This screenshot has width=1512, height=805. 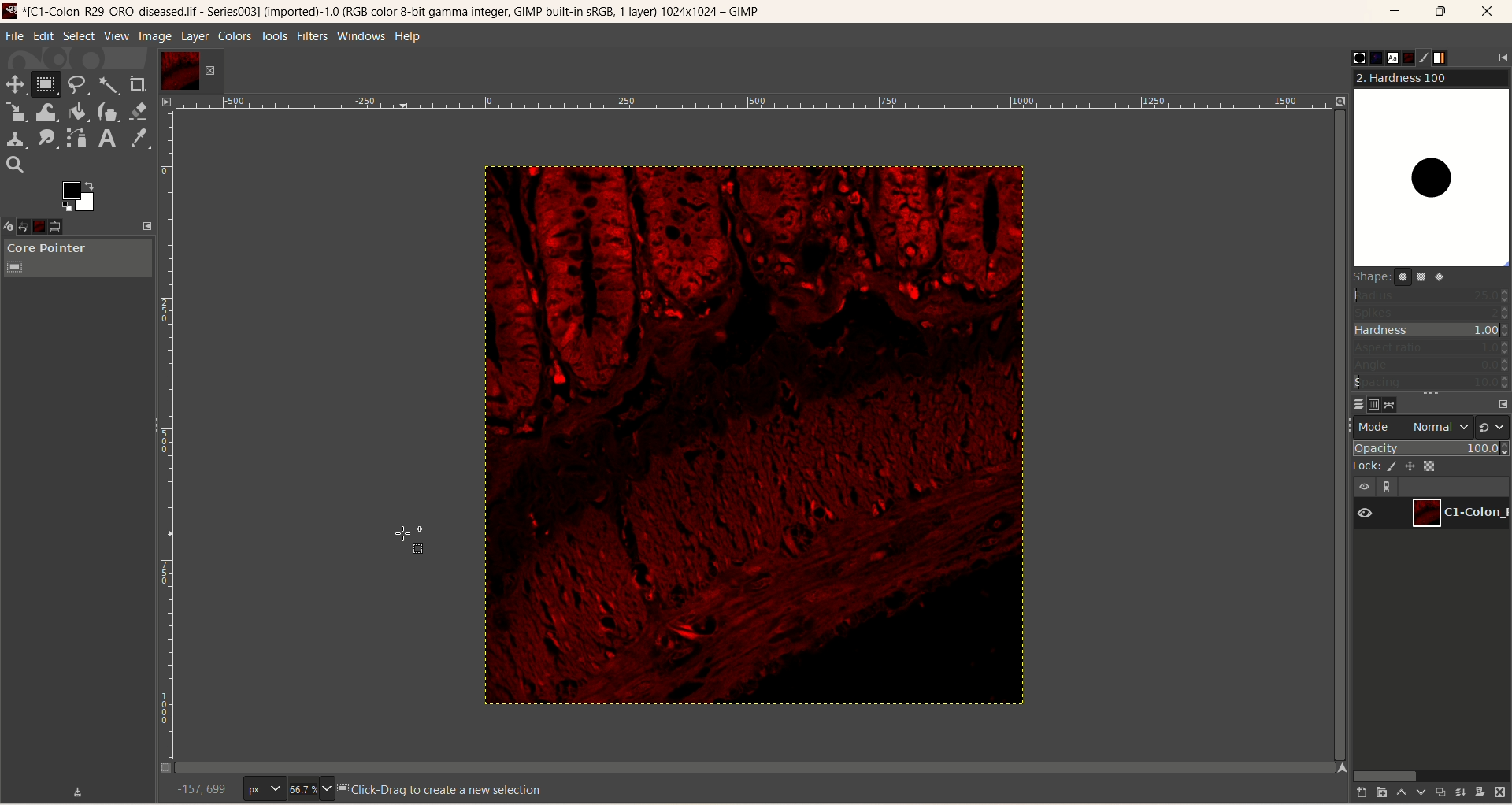 I want to click on visibility, so click(x=1370, y=513).